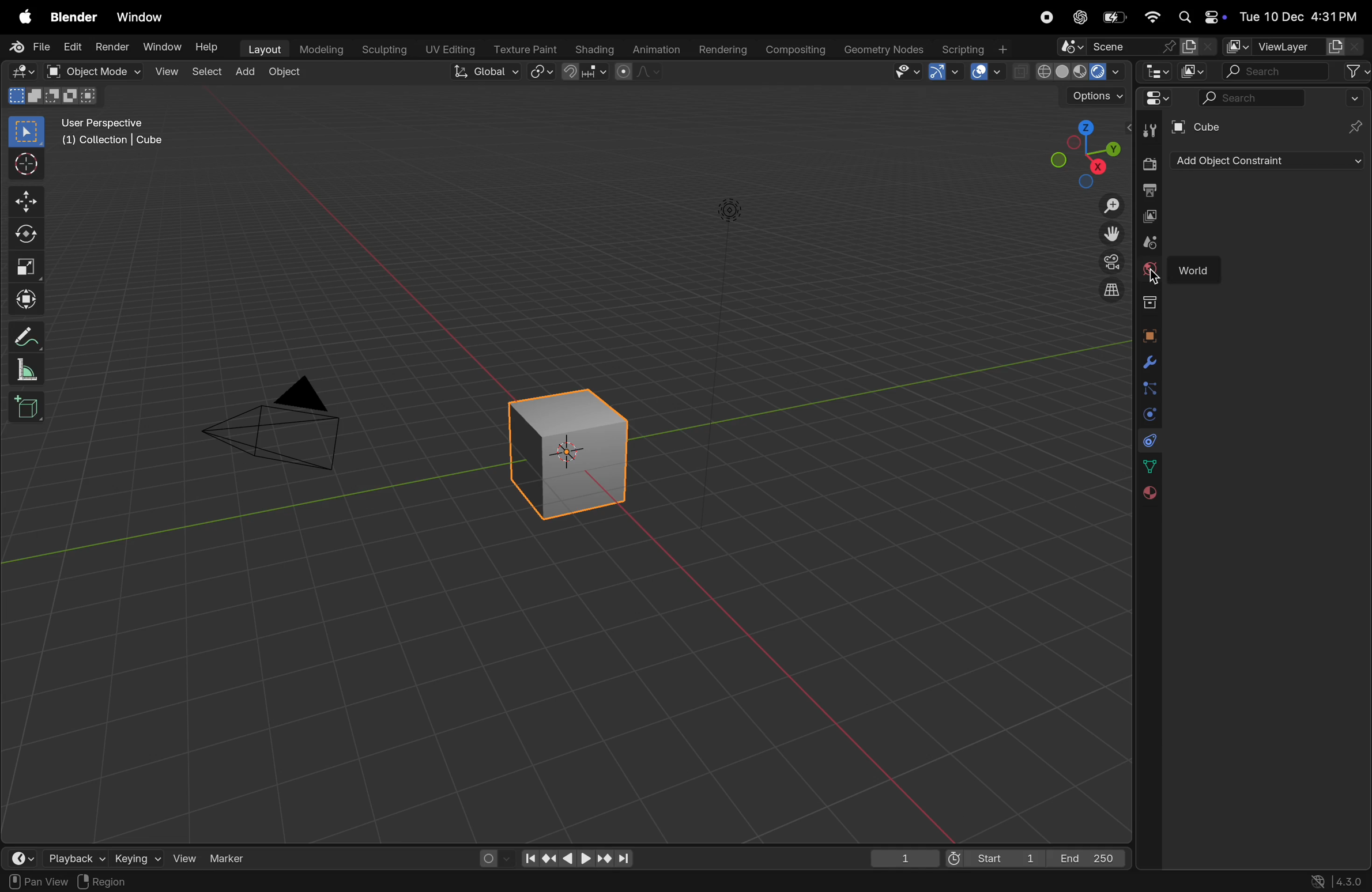  What do you see at coordinates (109, 882) in the screenshot?
I see `region` at bounding box center [109, 882].